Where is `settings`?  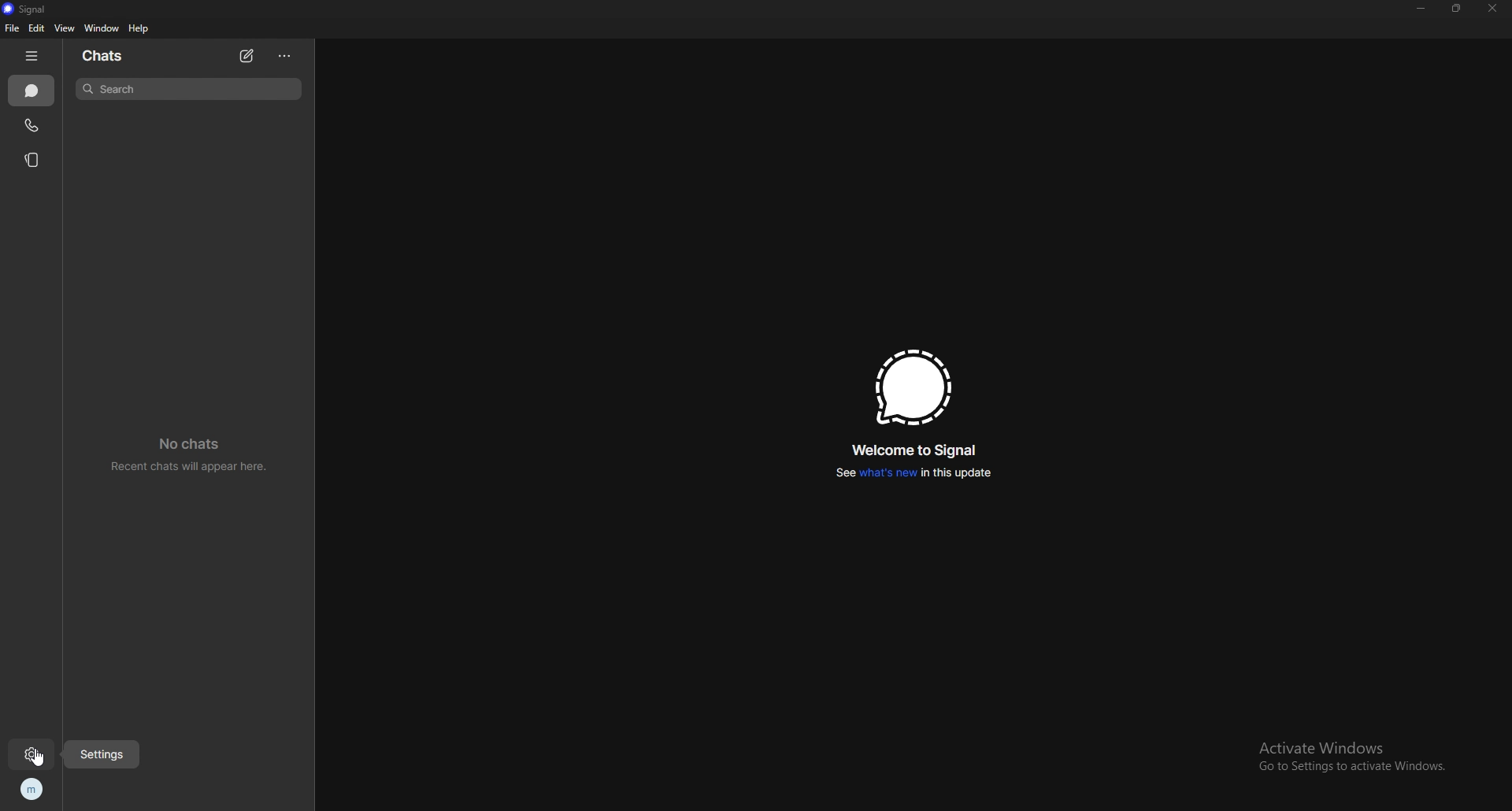
settings is located at coordinates (102, 754).